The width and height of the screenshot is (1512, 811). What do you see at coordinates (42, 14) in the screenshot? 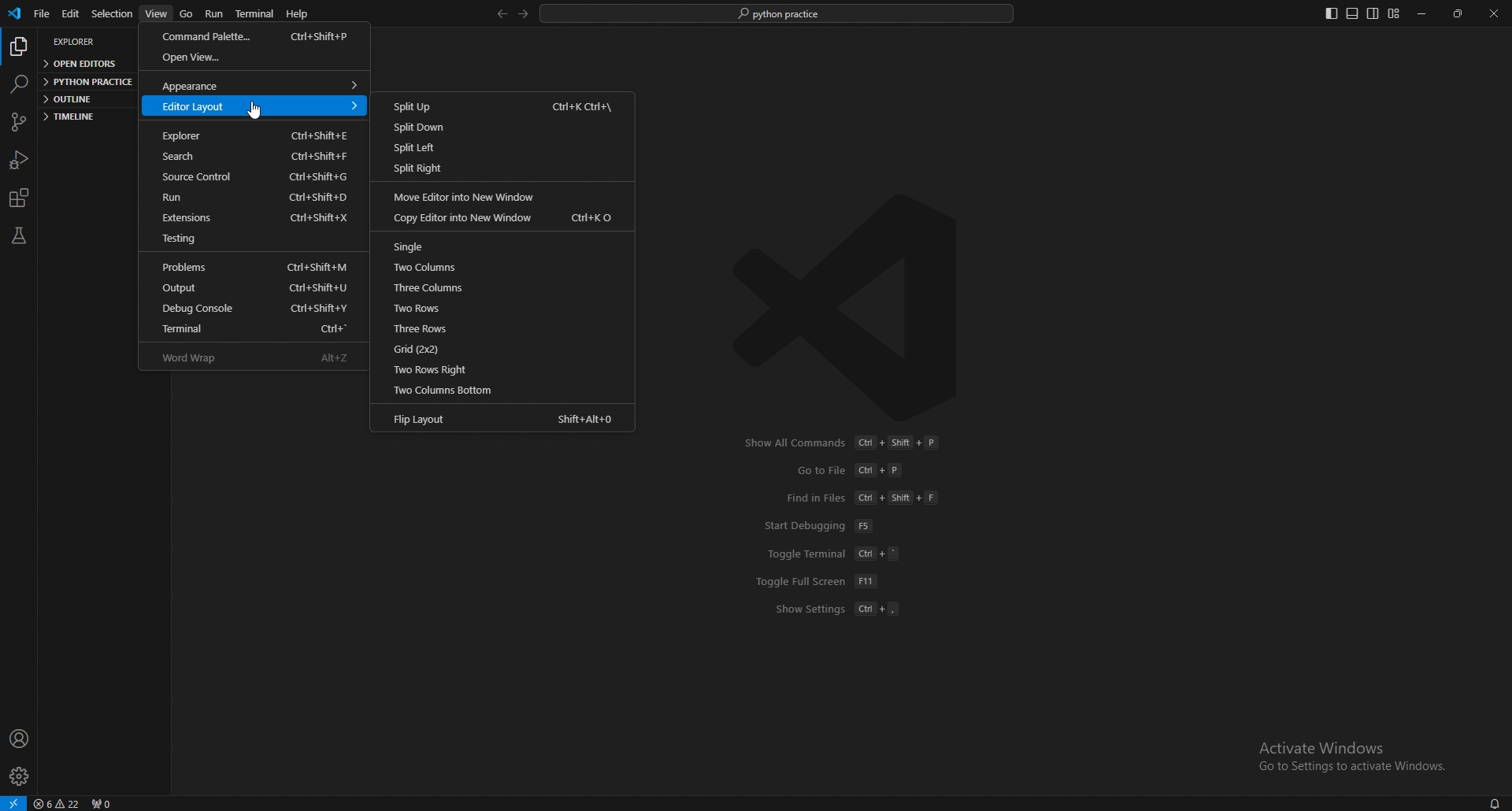
I see `file` at bounding box center [42, 14].